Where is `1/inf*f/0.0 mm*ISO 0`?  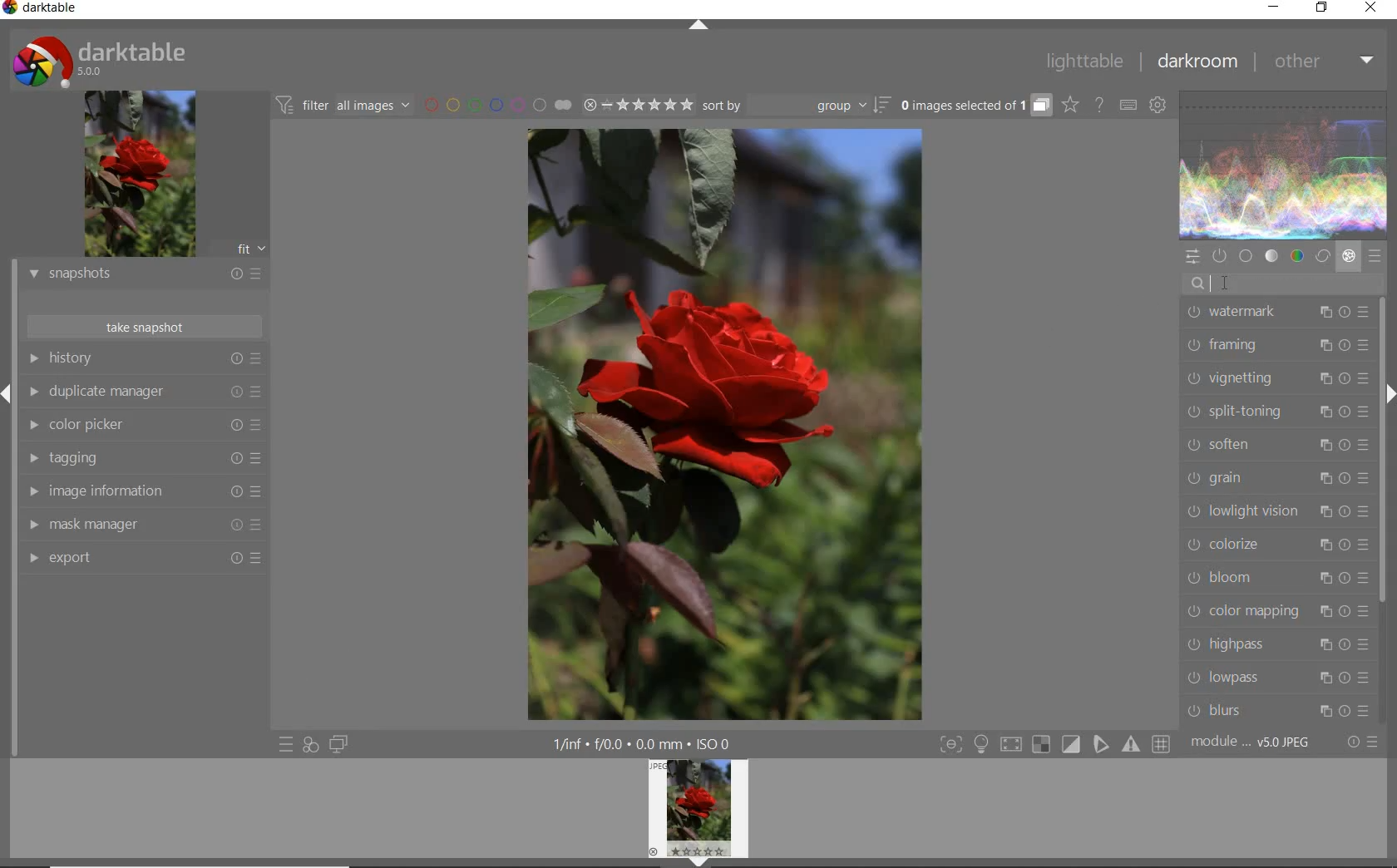
1/inf*f/0.0 mm*ISO 0 is located at coordinates (648, 743).